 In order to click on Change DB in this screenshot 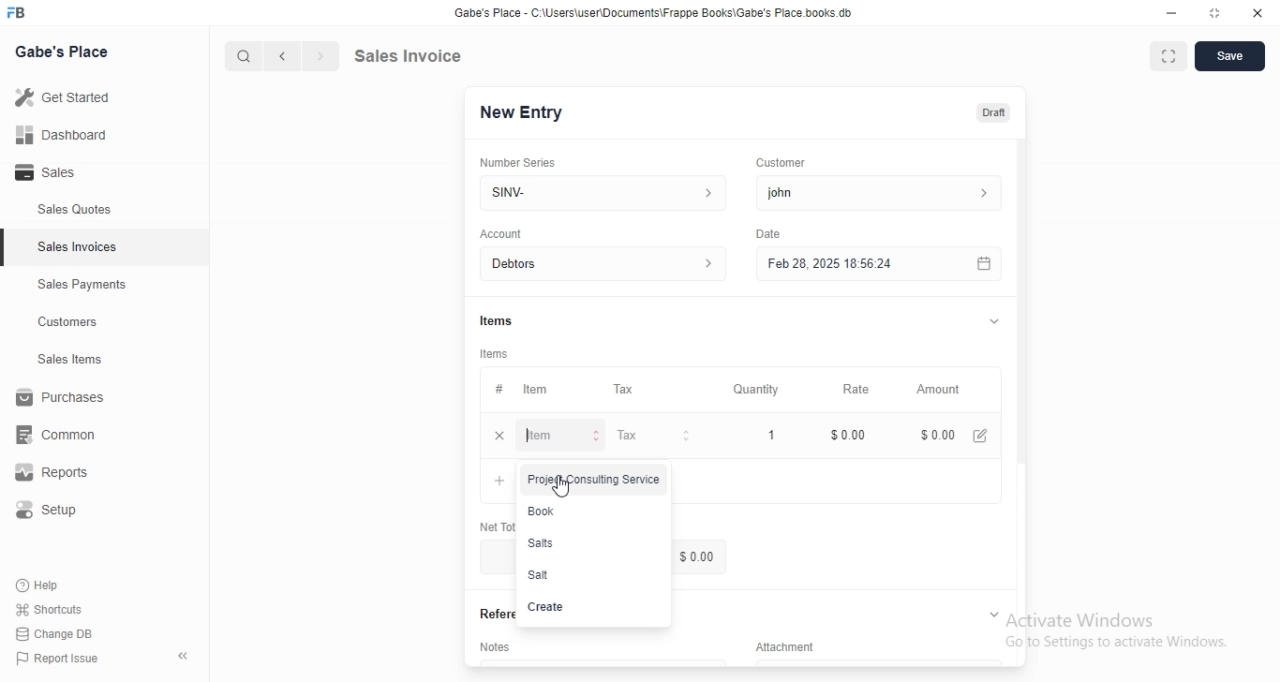, I will do `click(58, 635)`.